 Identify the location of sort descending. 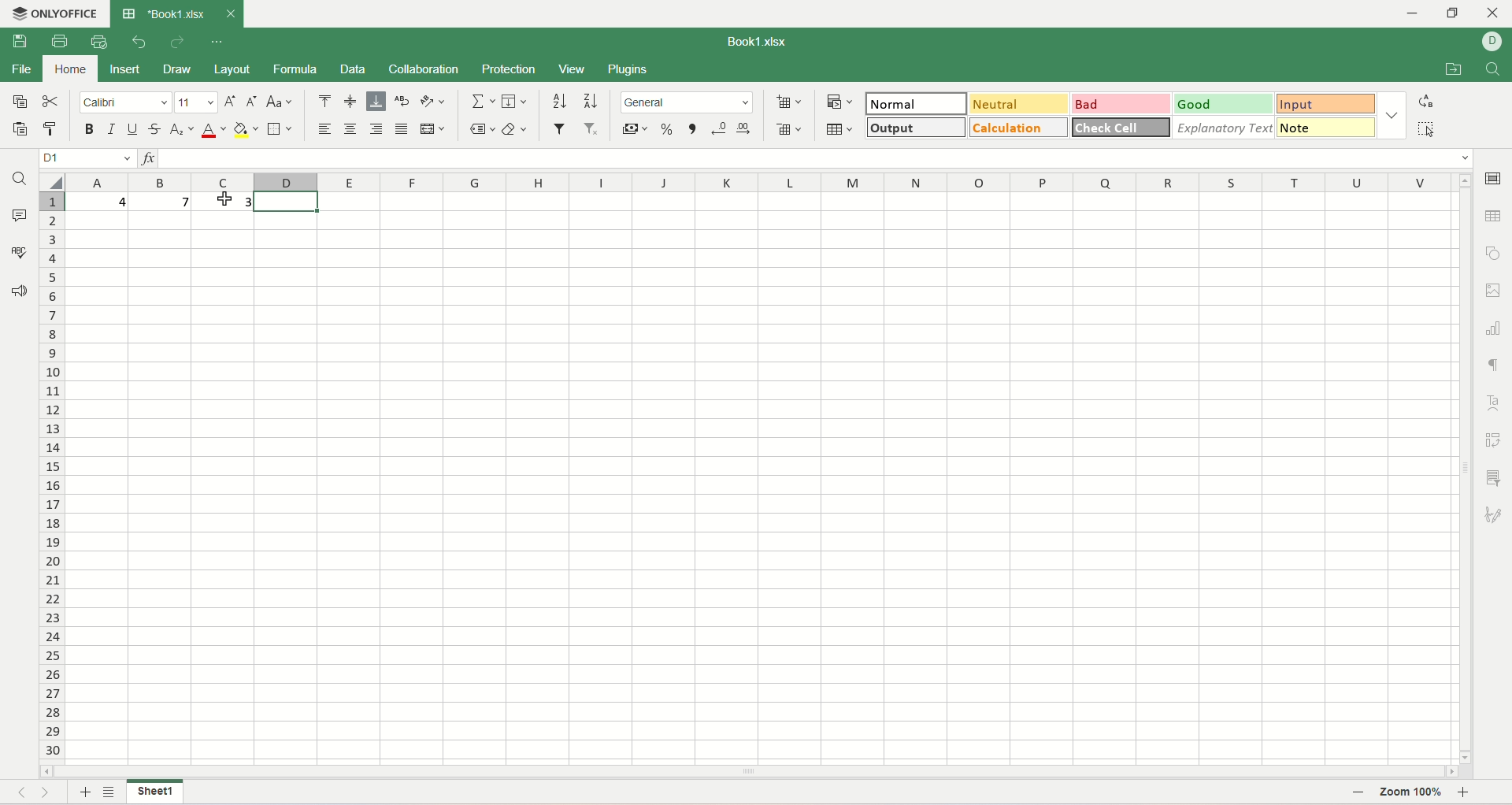
(588, 101).